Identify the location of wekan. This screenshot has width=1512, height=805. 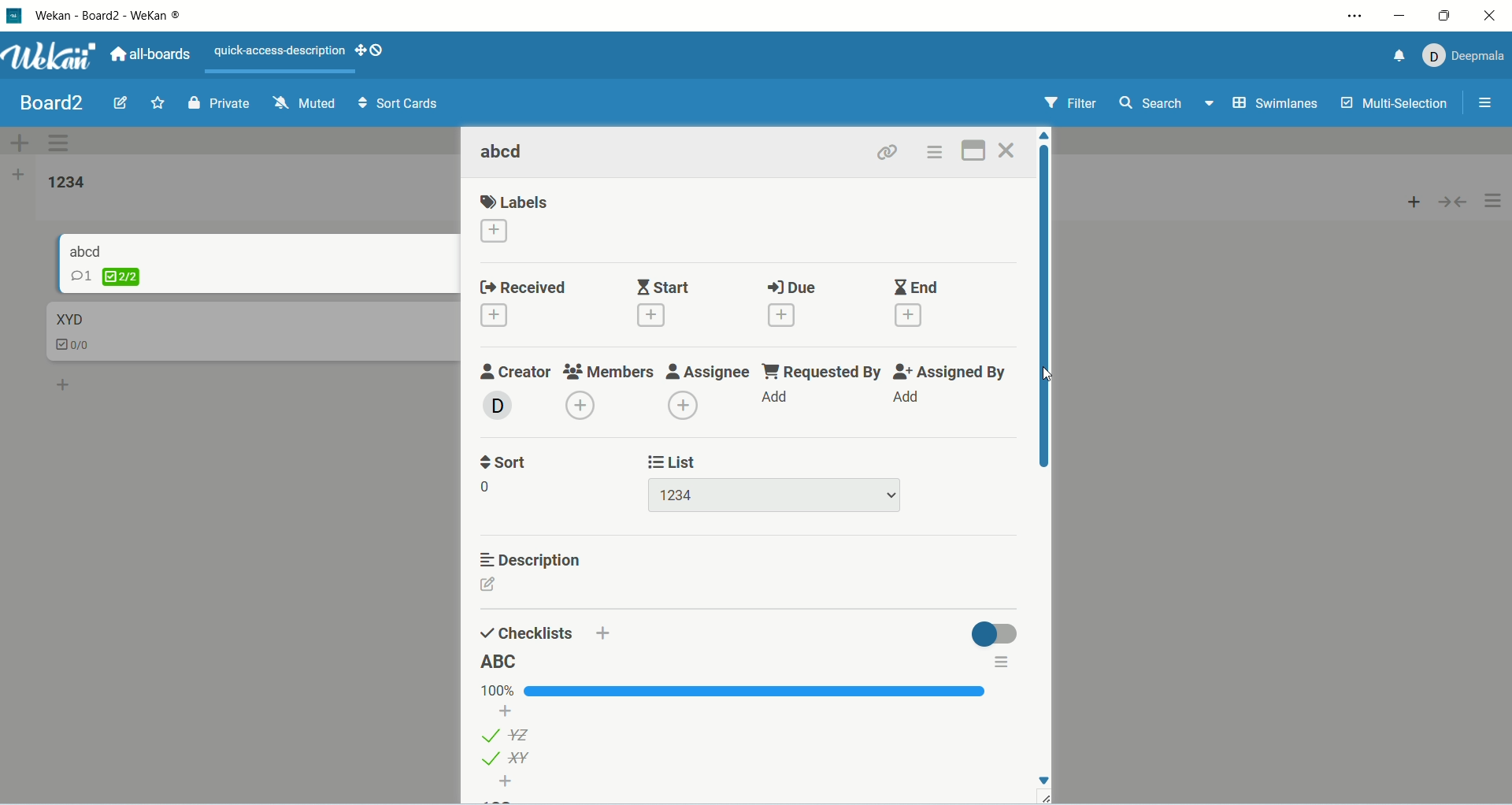
(50, 55).